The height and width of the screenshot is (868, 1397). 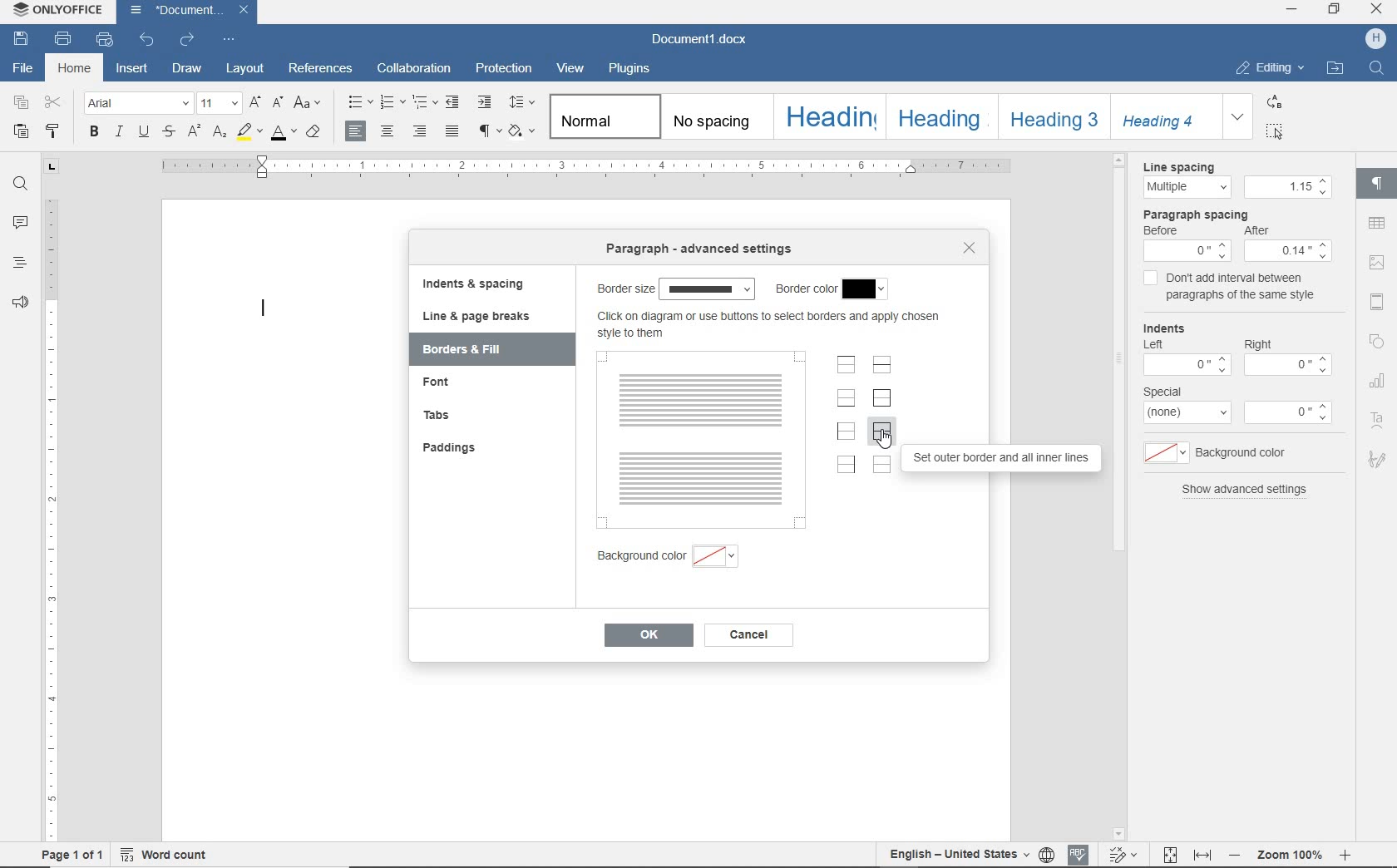 What do you see at coordinates (1292, 9) in the screenshot?
I see `MINIMIZE` at bounding box center [1292, 9].